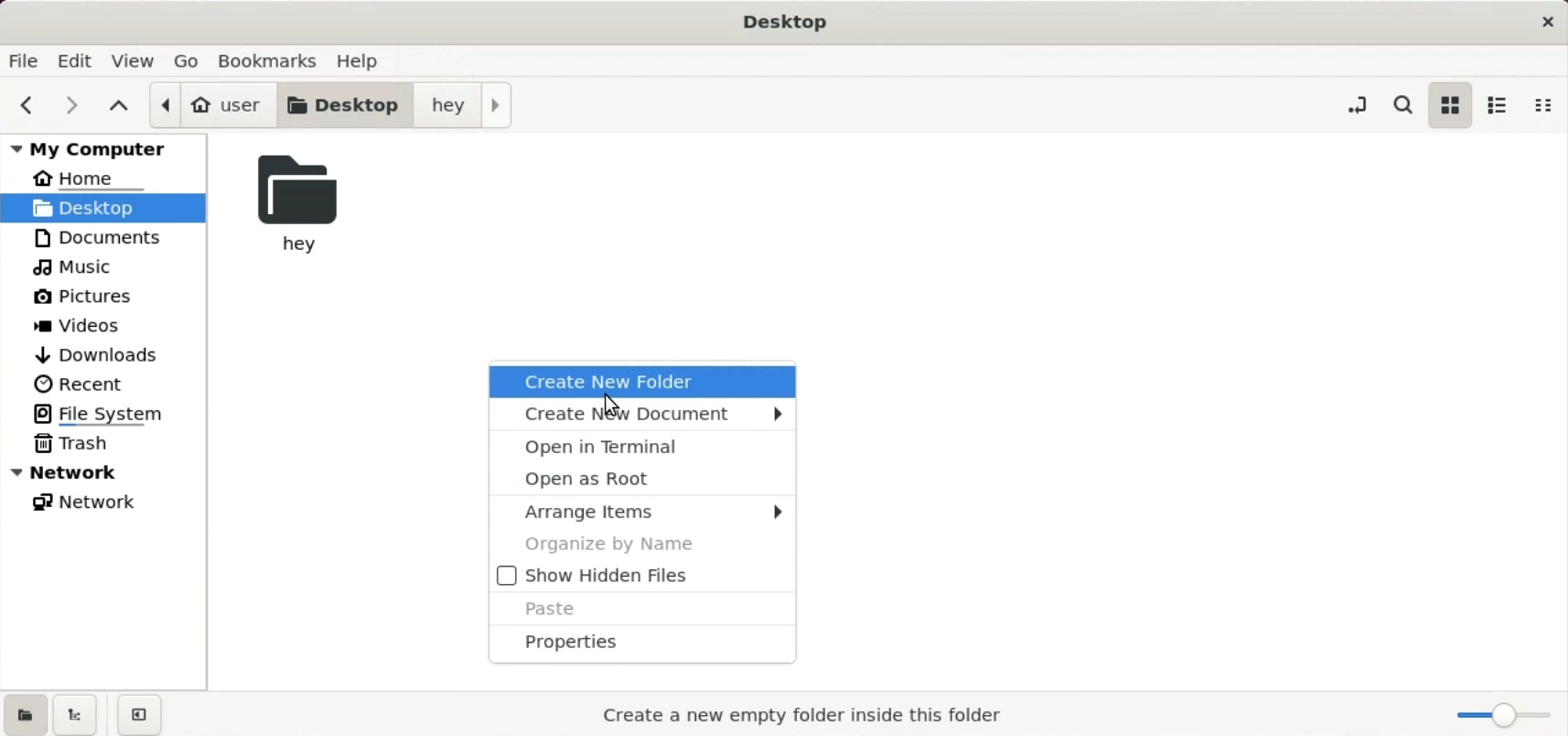 Image resolution: width=1568 pixels, height=736 pixels. Describe the element at coordinates (647, 644) in the screenshot. I see `properties` at that location.